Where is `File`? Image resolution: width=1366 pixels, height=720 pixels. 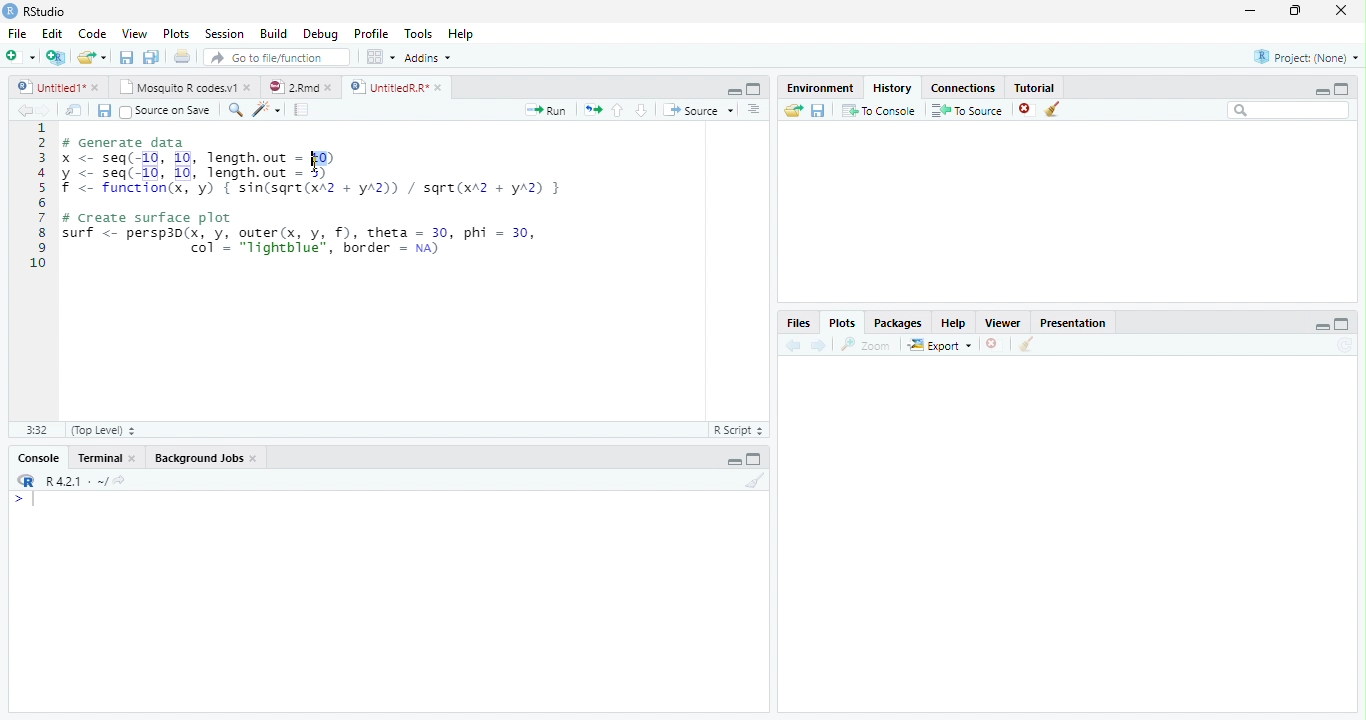
File is located at coordinates (17, 33).